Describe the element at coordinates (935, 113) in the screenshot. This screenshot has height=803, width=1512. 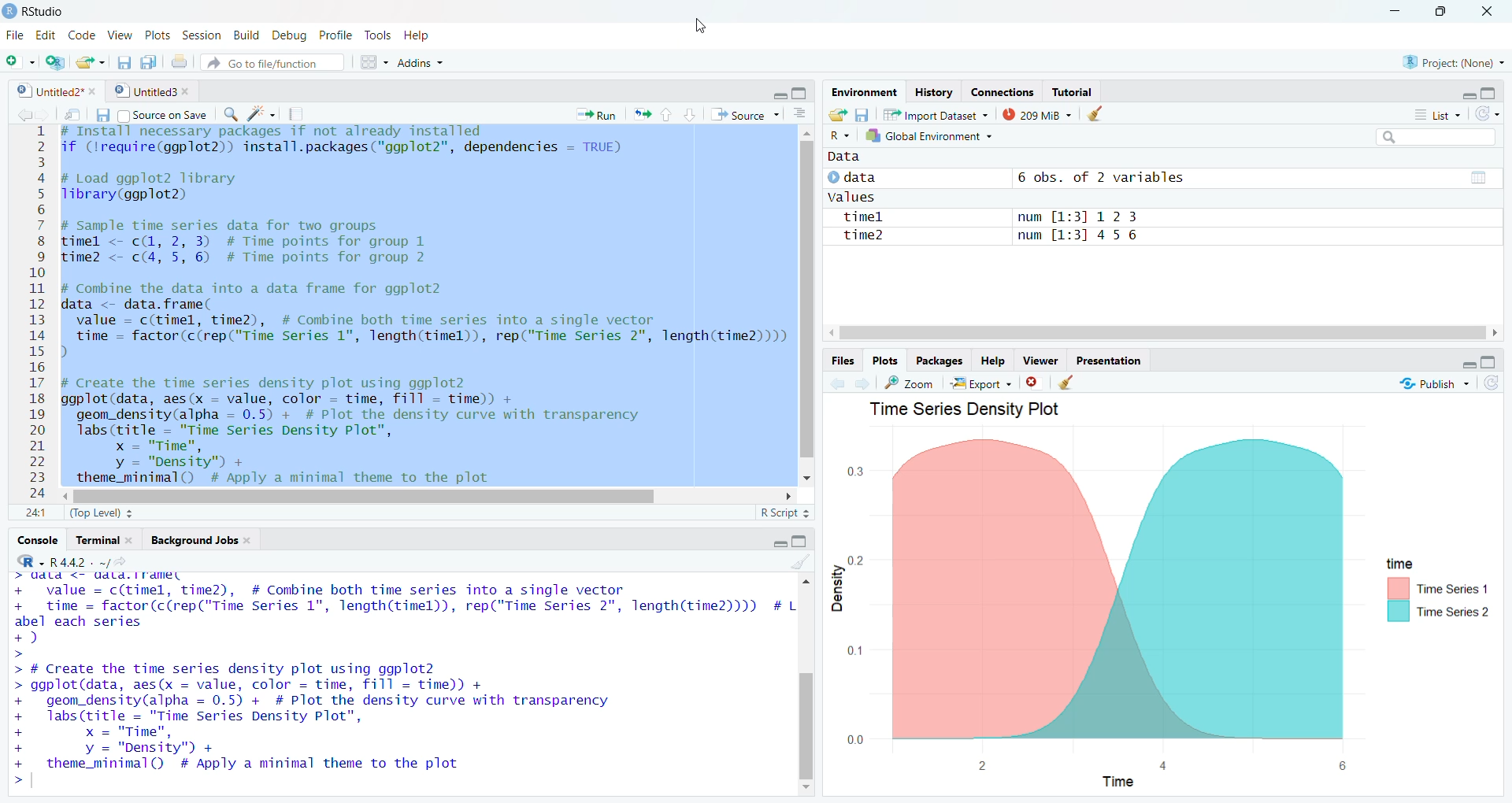
I see `Import Dataset ` at that location.